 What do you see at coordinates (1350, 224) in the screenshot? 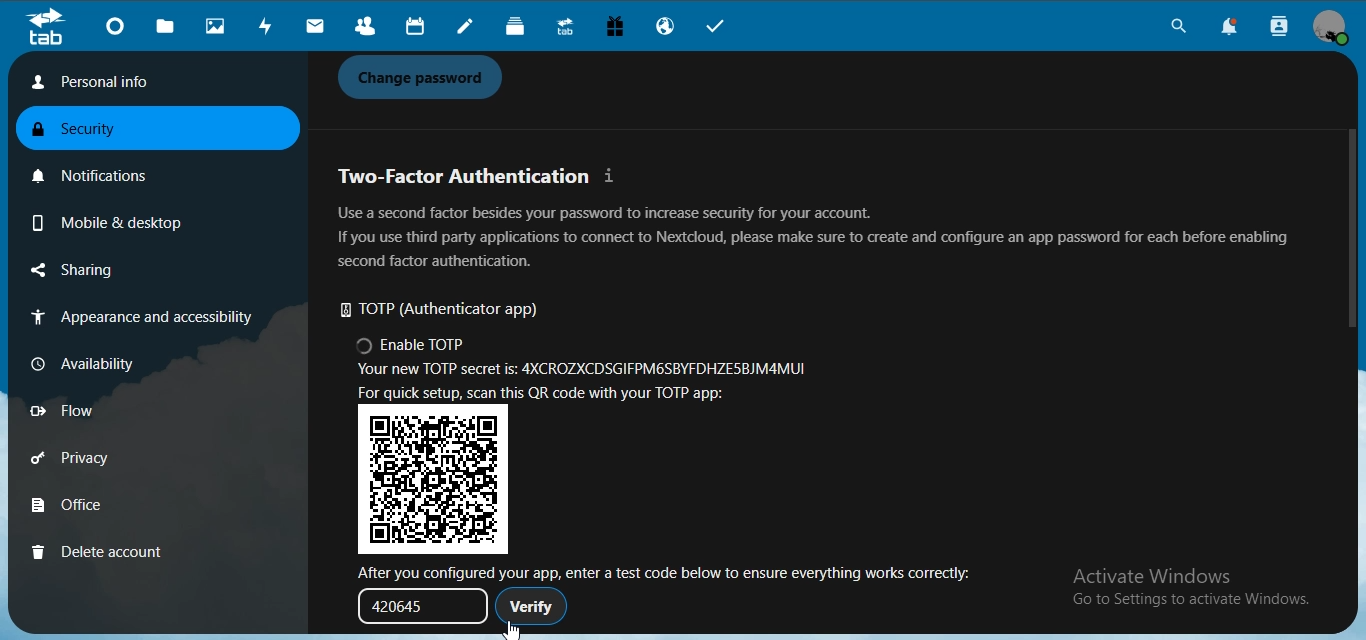
I see `scroll bar` at bounding box center [1350, 224].